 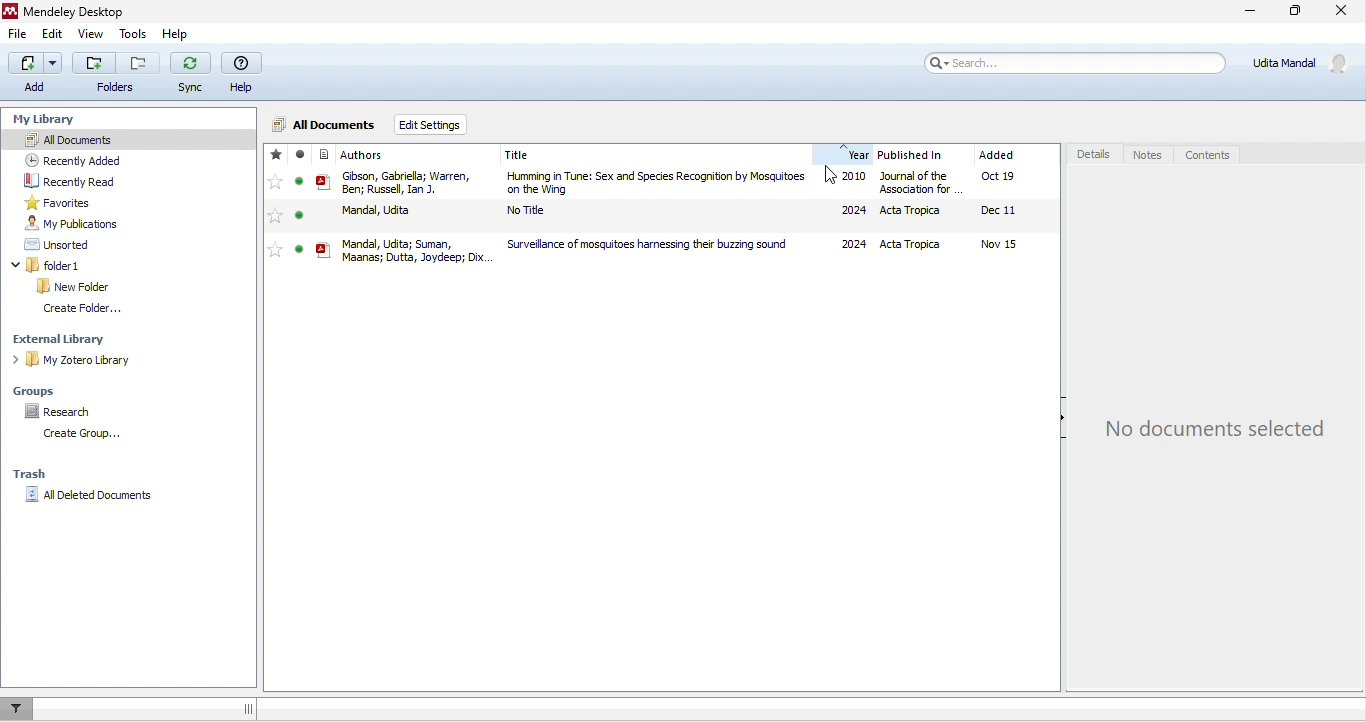 I want to click on filter, so click(x=19, y=709).